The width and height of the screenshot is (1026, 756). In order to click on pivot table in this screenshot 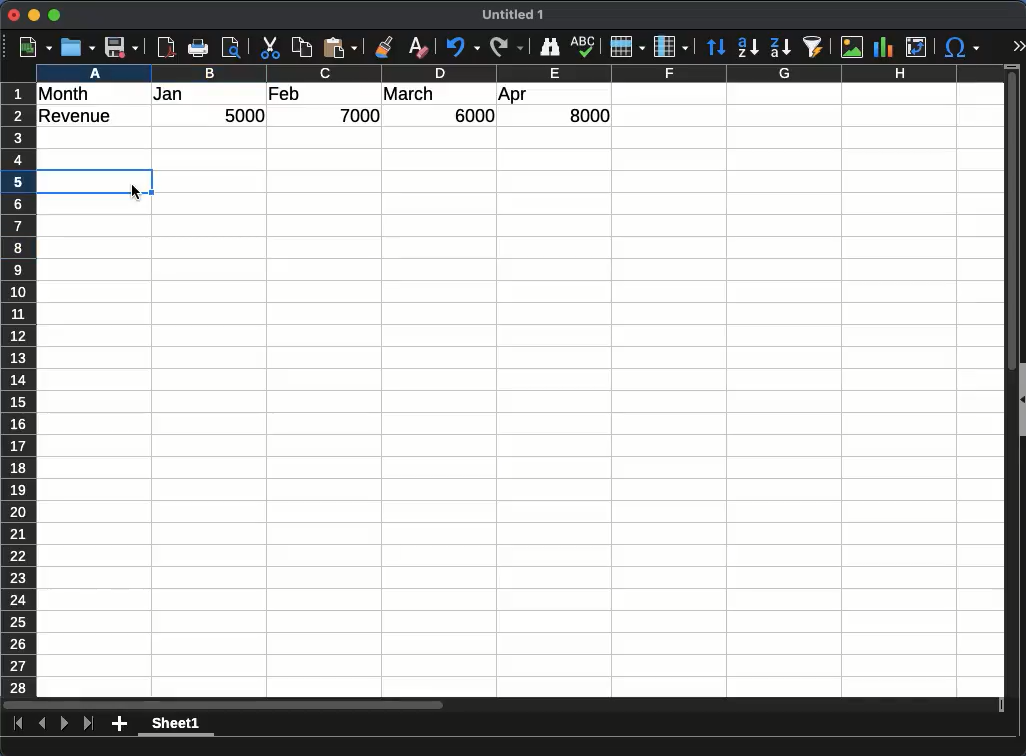, I will do `click(916, 47)`.